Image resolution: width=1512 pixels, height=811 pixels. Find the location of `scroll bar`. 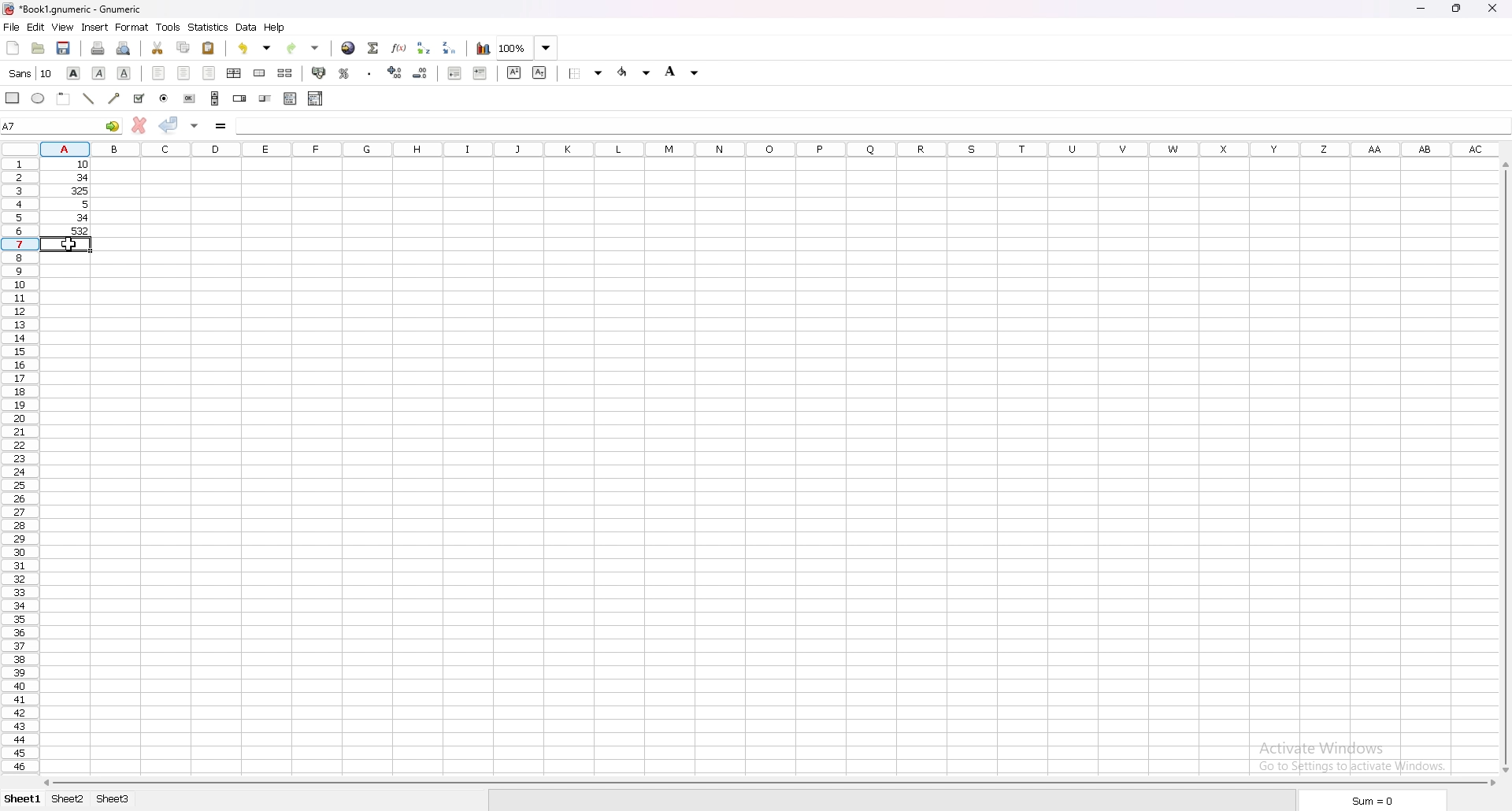

scroll bar is located at coordinates (769, 783).